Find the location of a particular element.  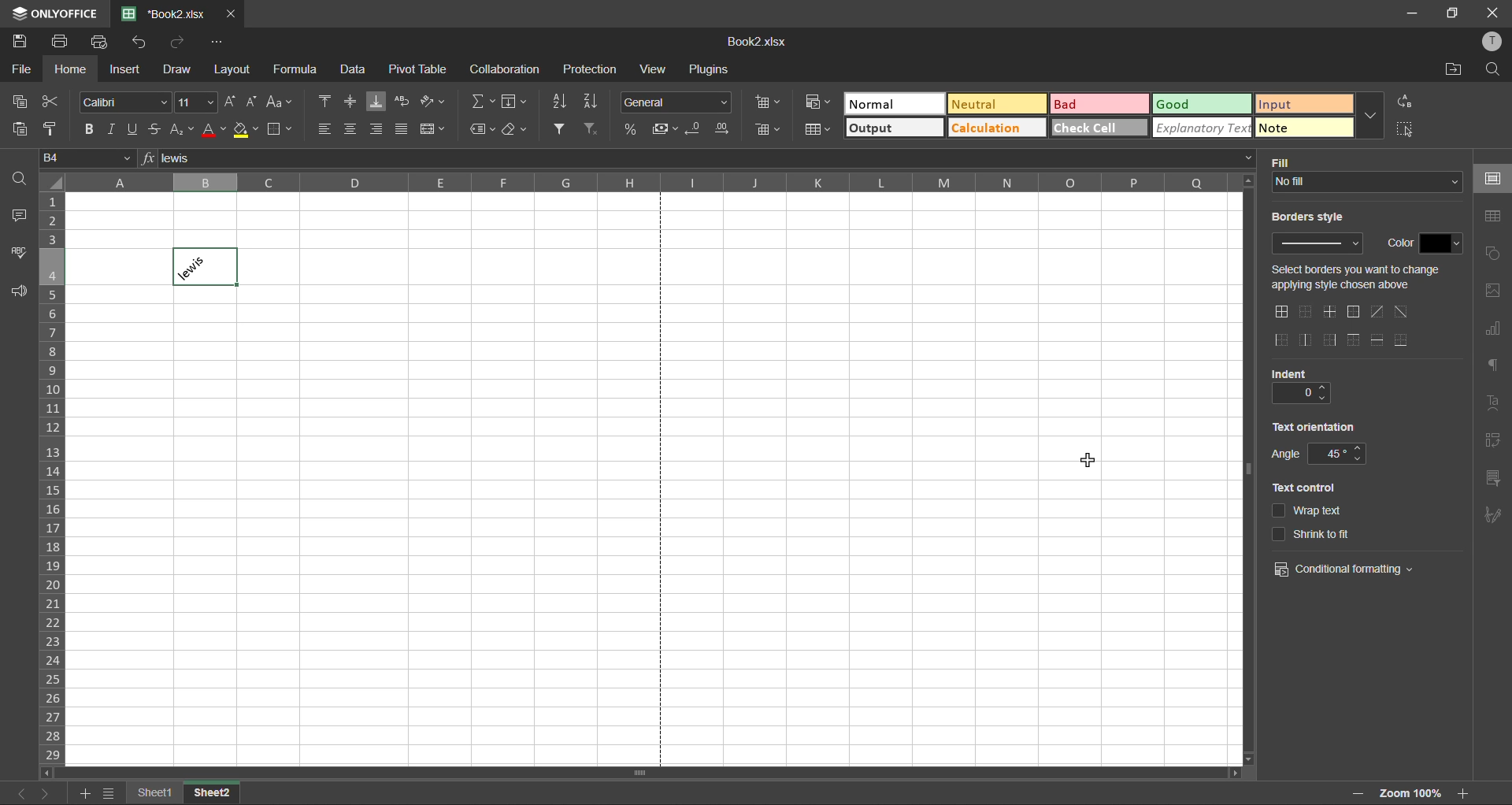

vertical scrollbar is located at coordinates (1243, 469).